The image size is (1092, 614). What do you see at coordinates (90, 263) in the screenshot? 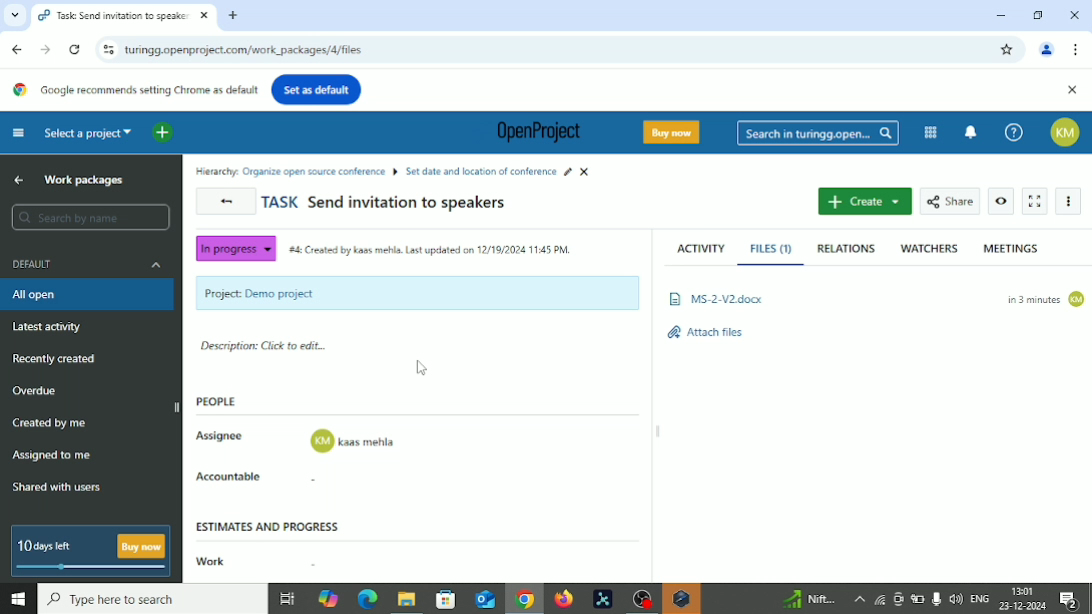
I see `Default` at bounding box center [90, 263].